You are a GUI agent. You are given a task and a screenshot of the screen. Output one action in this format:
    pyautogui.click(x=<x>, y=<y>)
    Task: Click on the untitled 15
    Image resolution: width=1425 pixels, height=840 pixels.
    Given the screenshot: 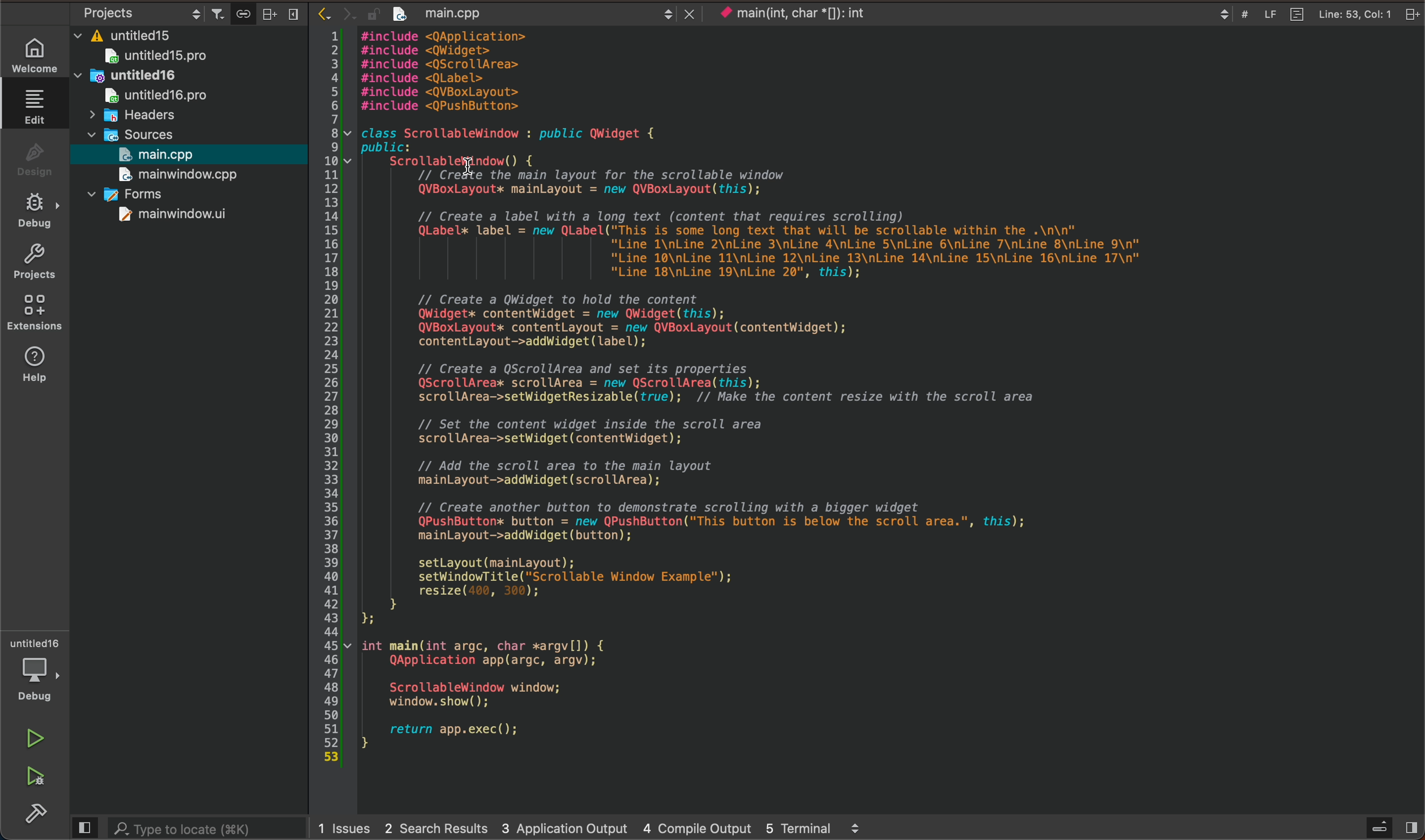 What is the action you would take?
    pyautogui.click(x=170, y=58)
    